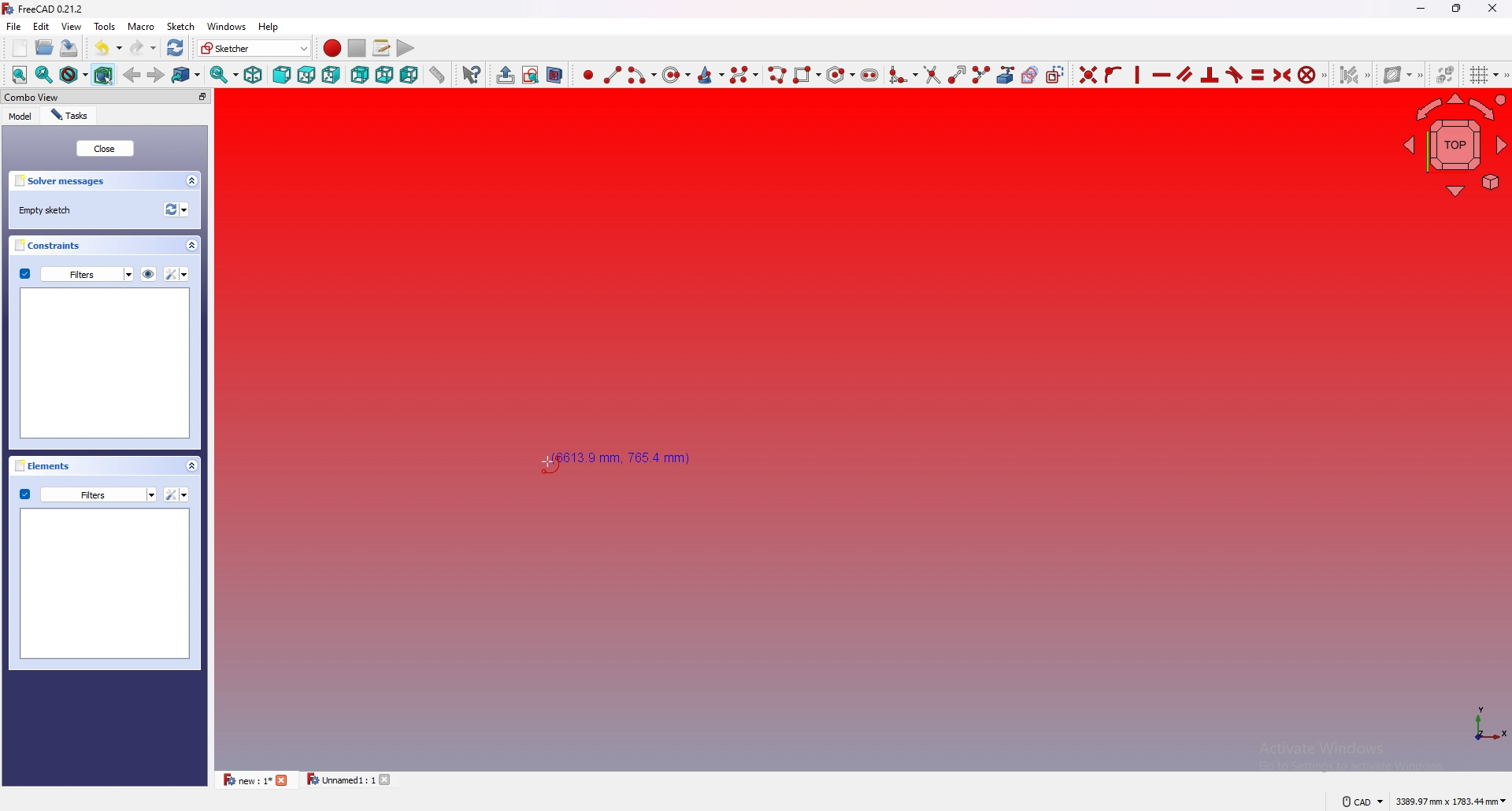  I want to click on view, so click(72, 25).